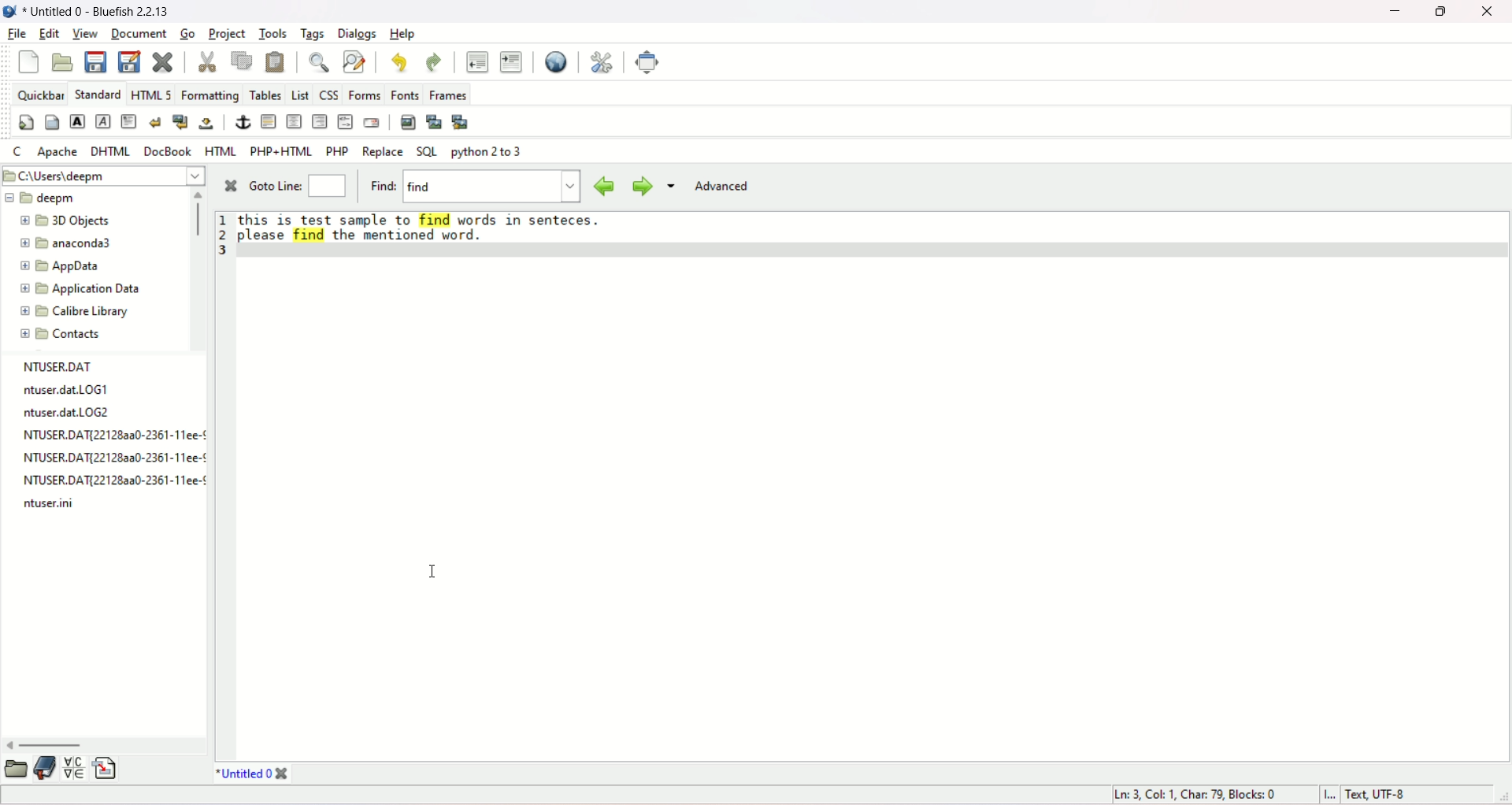  What do you see at coordinates (602, 184) in the screenshot?
I see `previous` at bounding box center [602, 184].